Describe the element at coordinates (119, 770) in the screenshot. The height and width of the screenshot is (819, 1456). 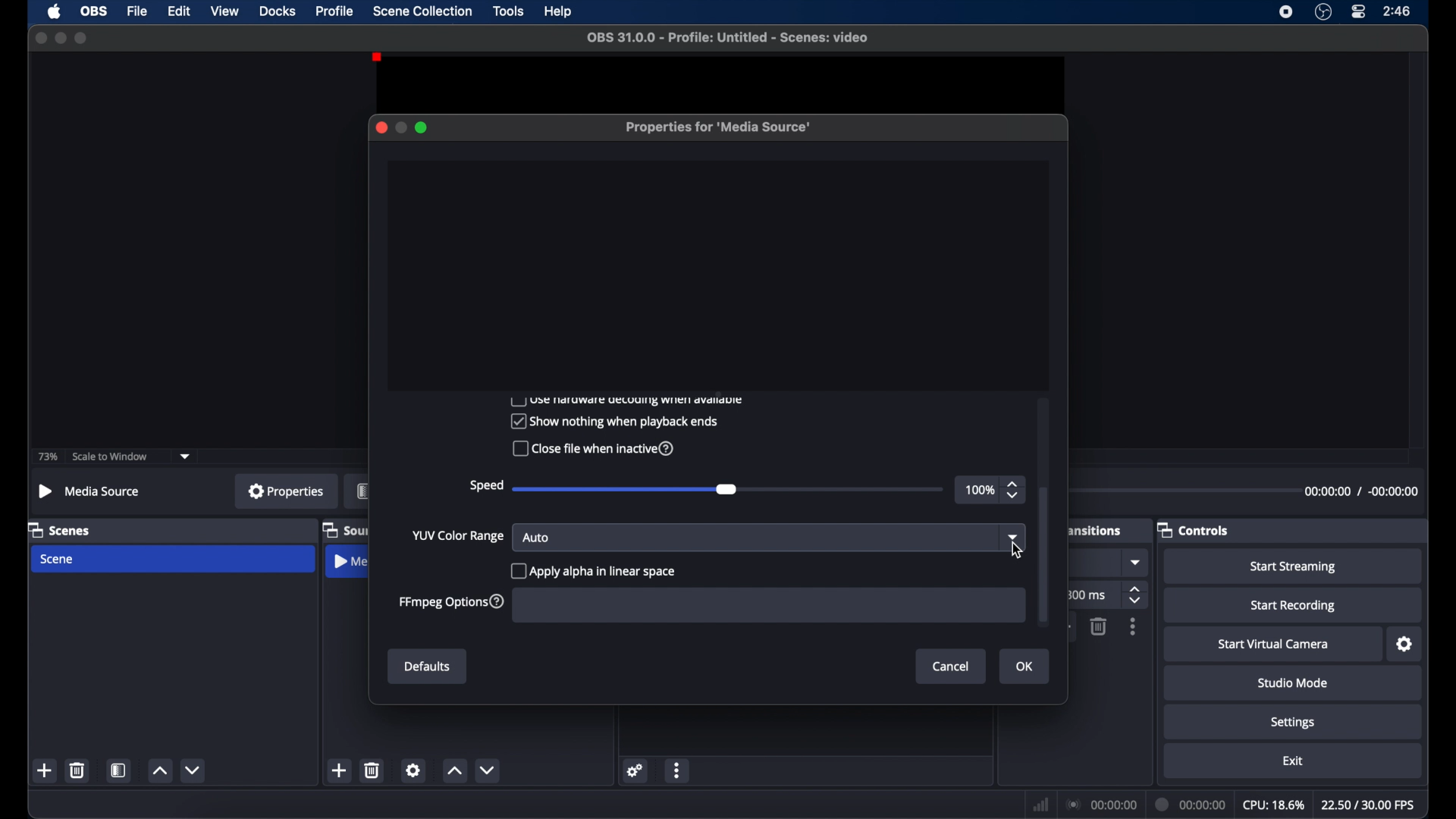
I see `scene filters` at that location.